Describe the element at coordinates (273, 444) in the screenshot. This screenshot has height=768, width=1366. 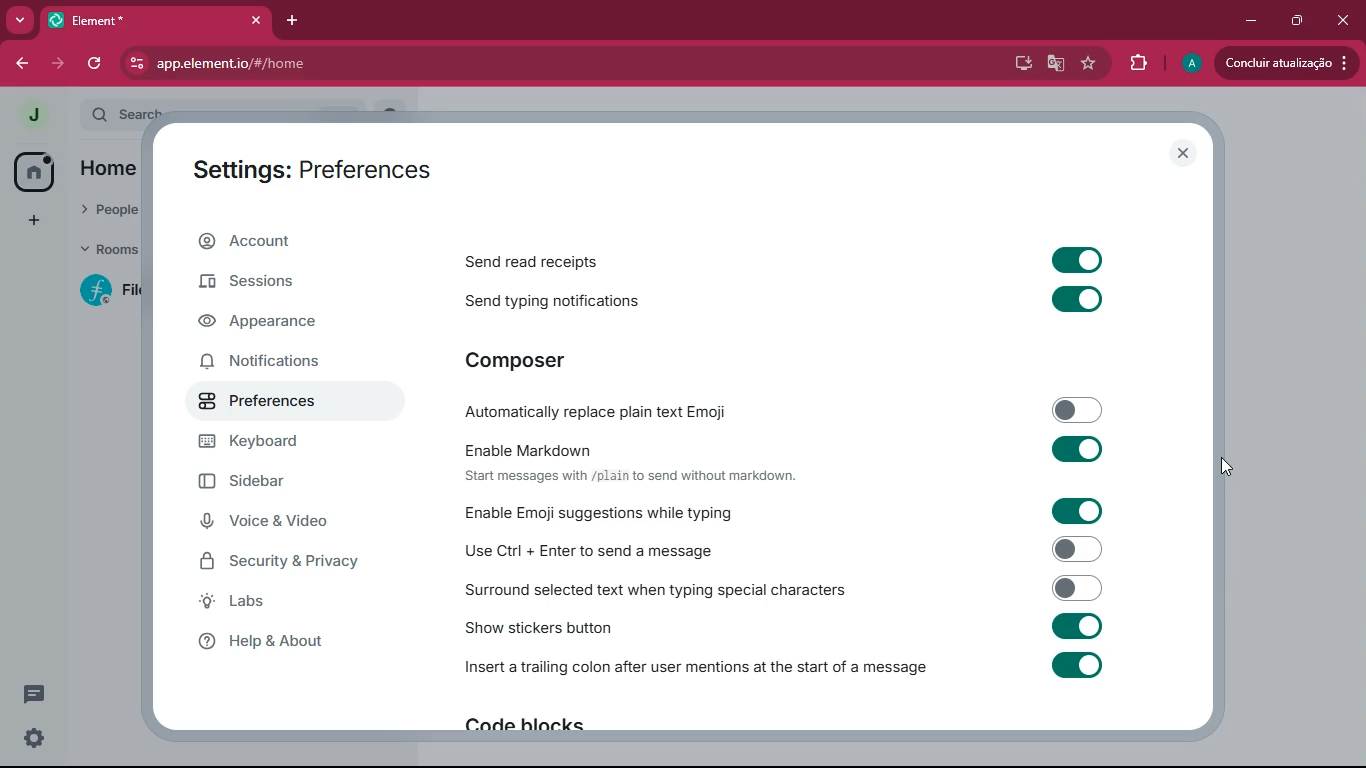
I see `keyboard` at that location.